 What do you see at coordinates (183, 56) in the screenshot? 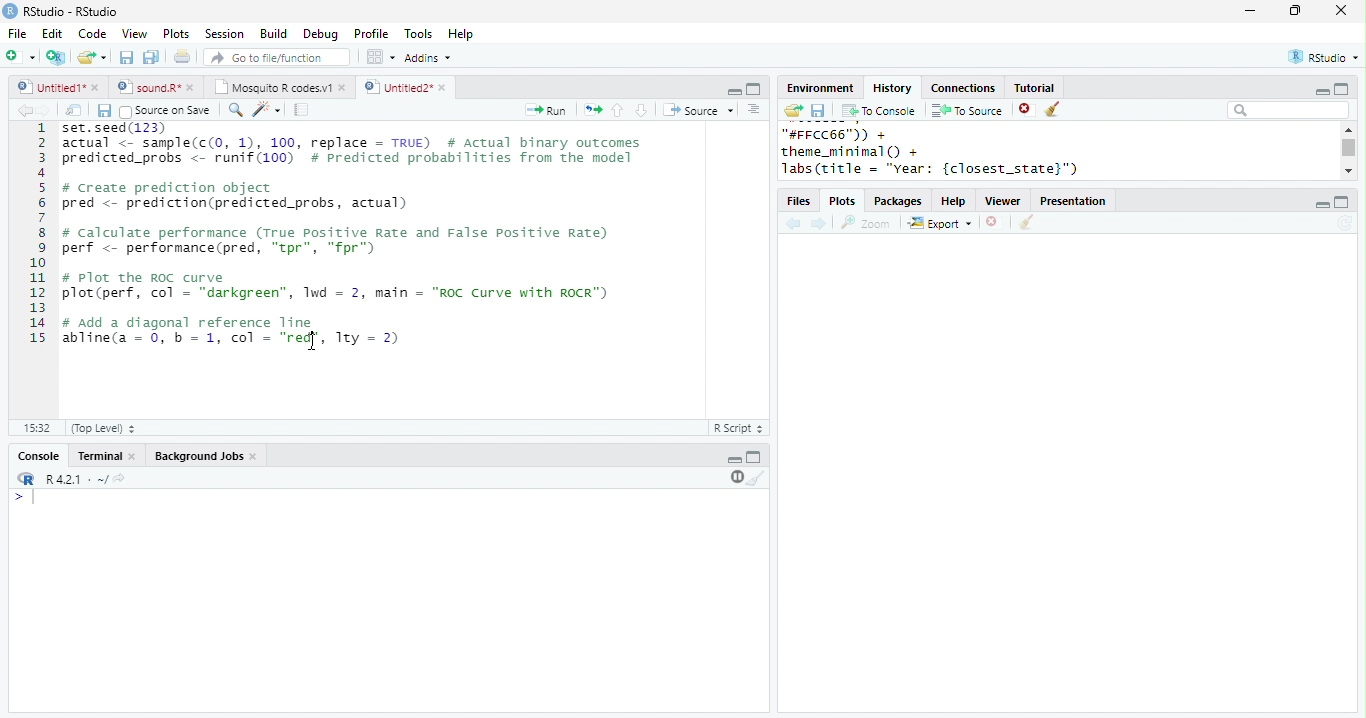
I see `print` at bounding box center [183, 56].